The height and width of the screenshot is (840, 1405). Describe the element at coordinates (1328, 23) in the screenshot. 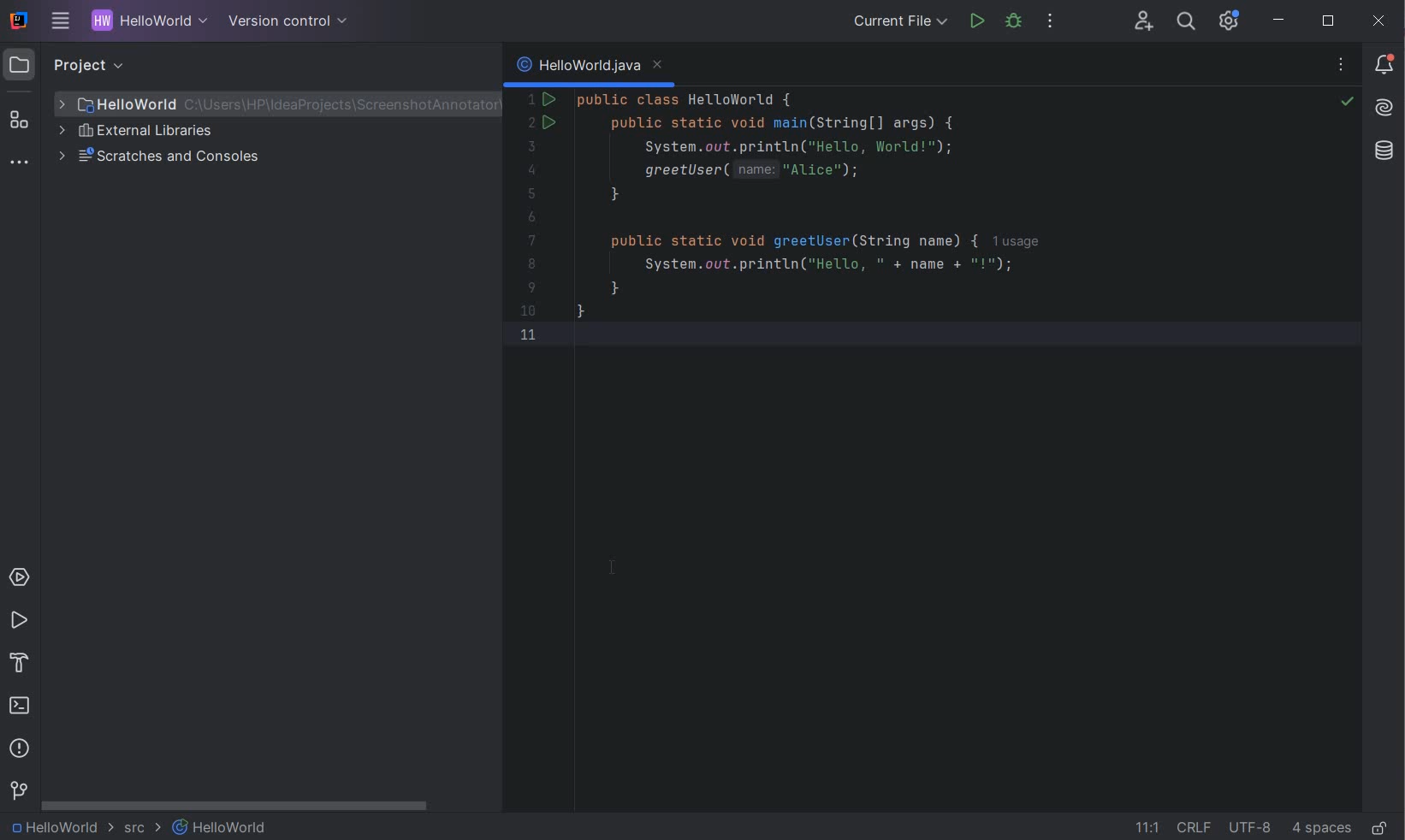

I see `RESTORE DOWN` at that location.